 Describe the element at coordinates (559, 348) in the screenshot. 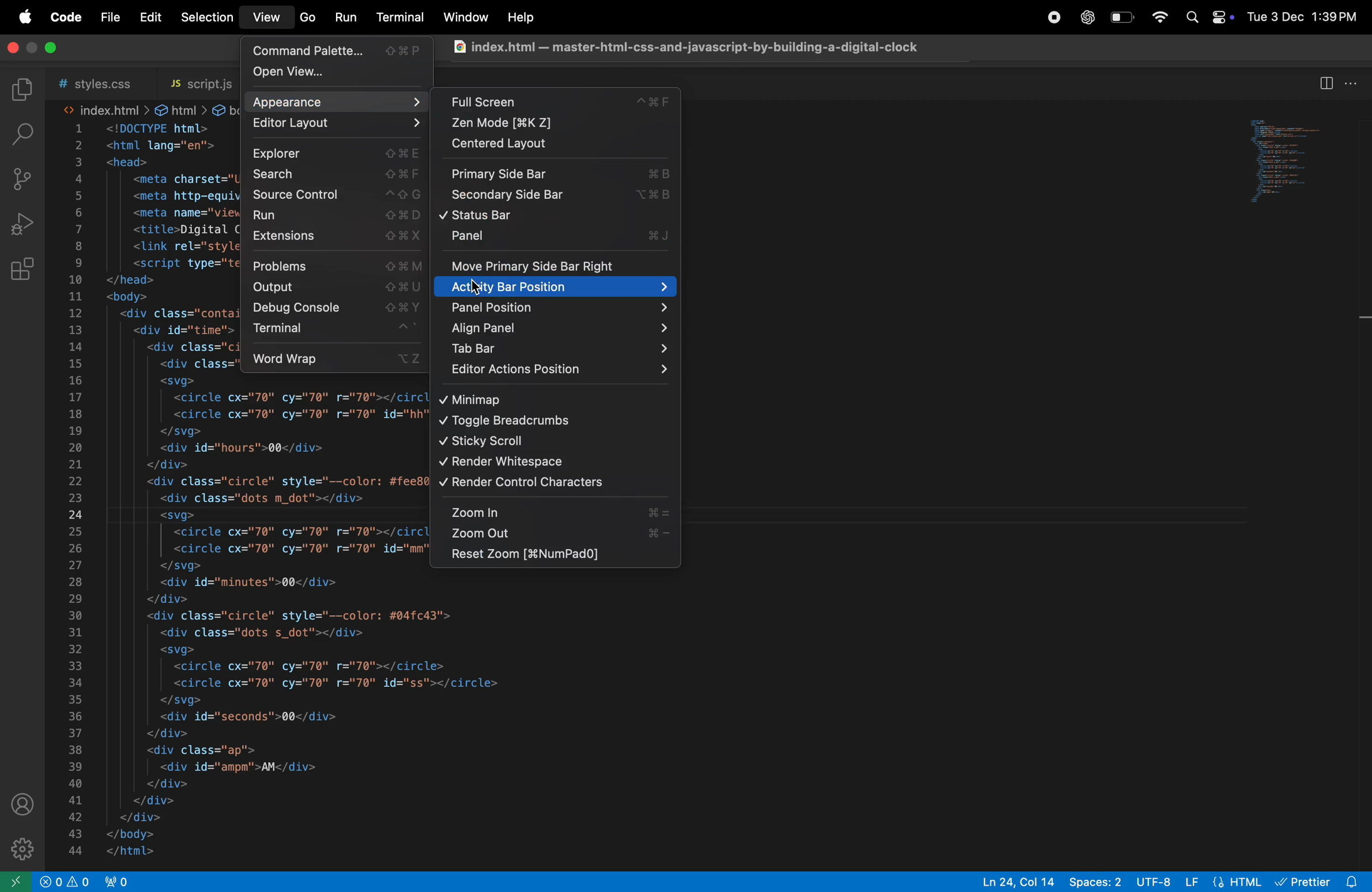

I see `tab bar` at that location.